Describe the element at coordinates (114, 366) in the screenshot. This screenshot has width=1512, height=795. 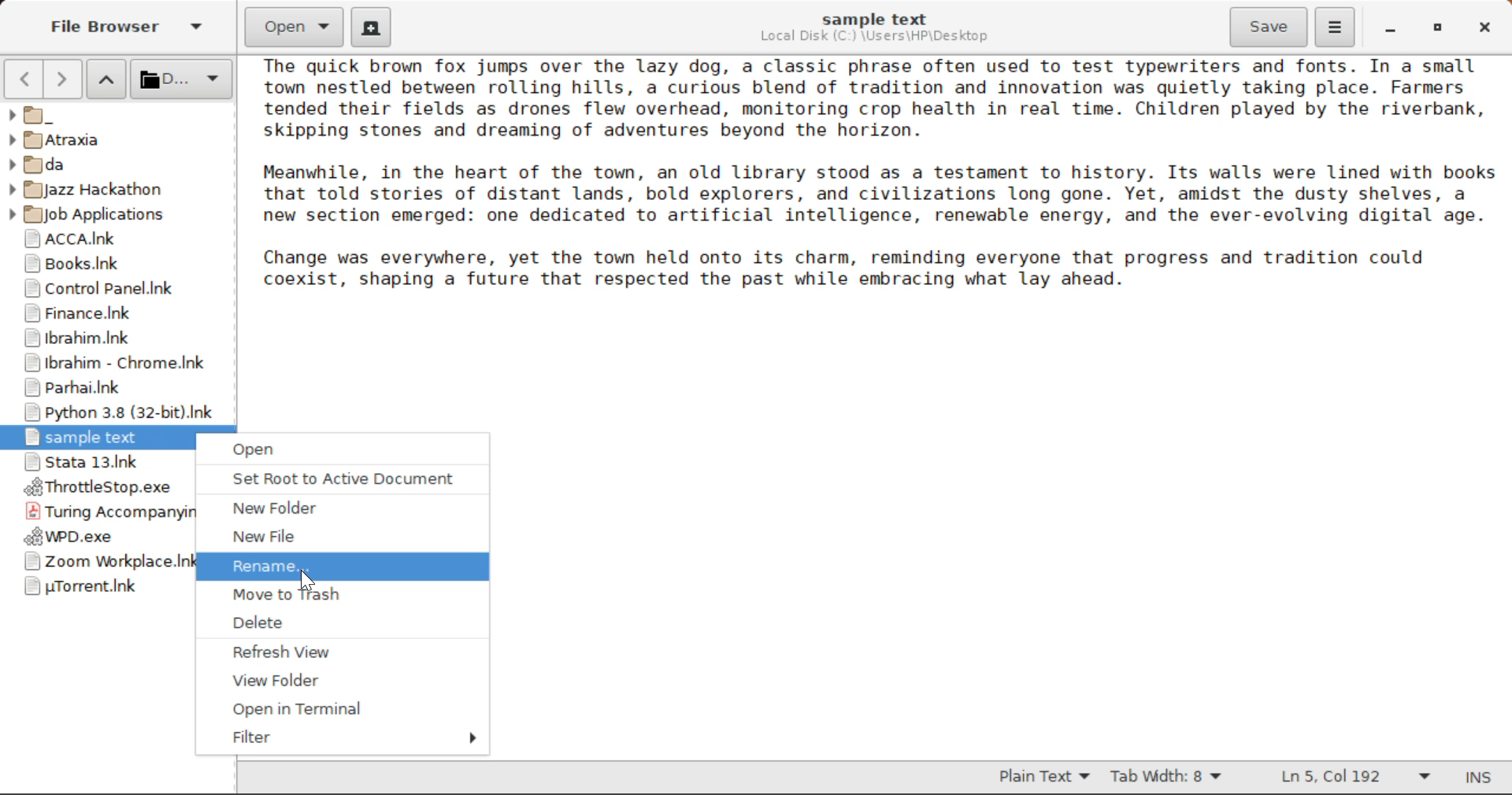
I see `Ibrahim - Chrome Shortcut Link` at that location.